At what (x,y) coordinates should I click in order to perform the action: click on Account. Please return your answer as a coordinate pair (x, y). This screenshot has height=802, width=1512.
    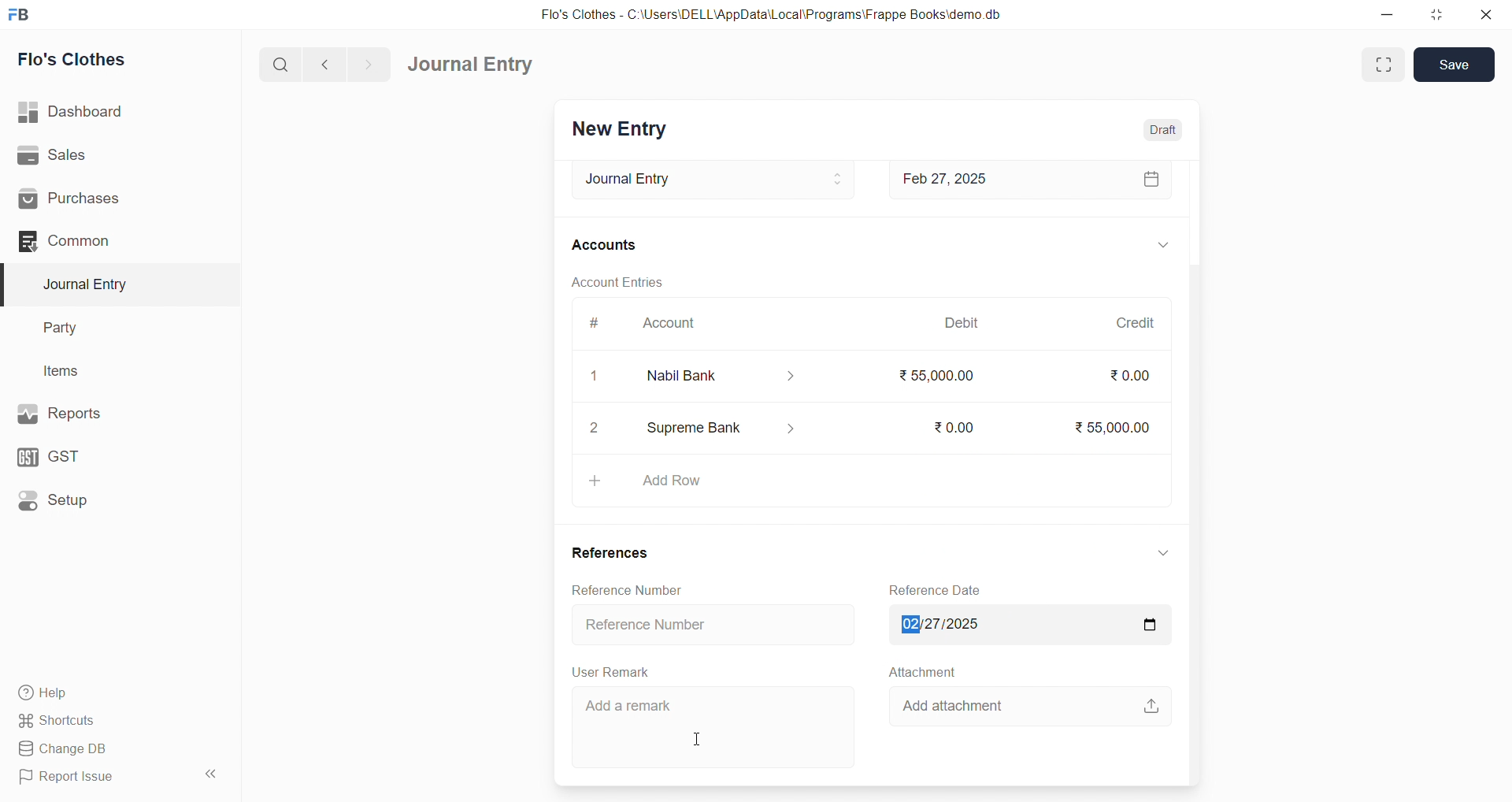
    Looking at the image, I should click on (674, 326).